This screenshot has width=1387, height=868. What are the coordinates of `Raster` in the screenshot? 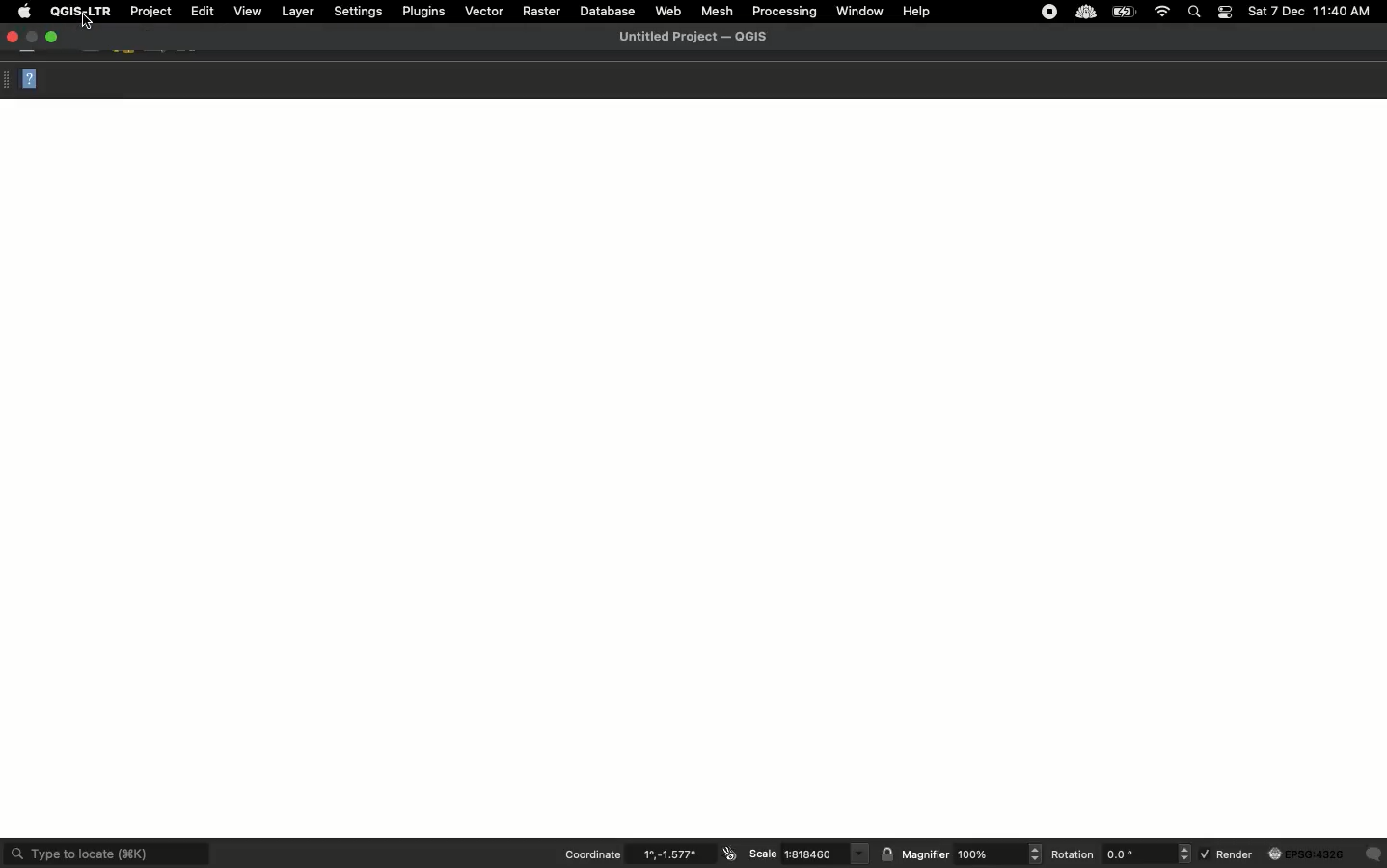 It's located at (543, 12).